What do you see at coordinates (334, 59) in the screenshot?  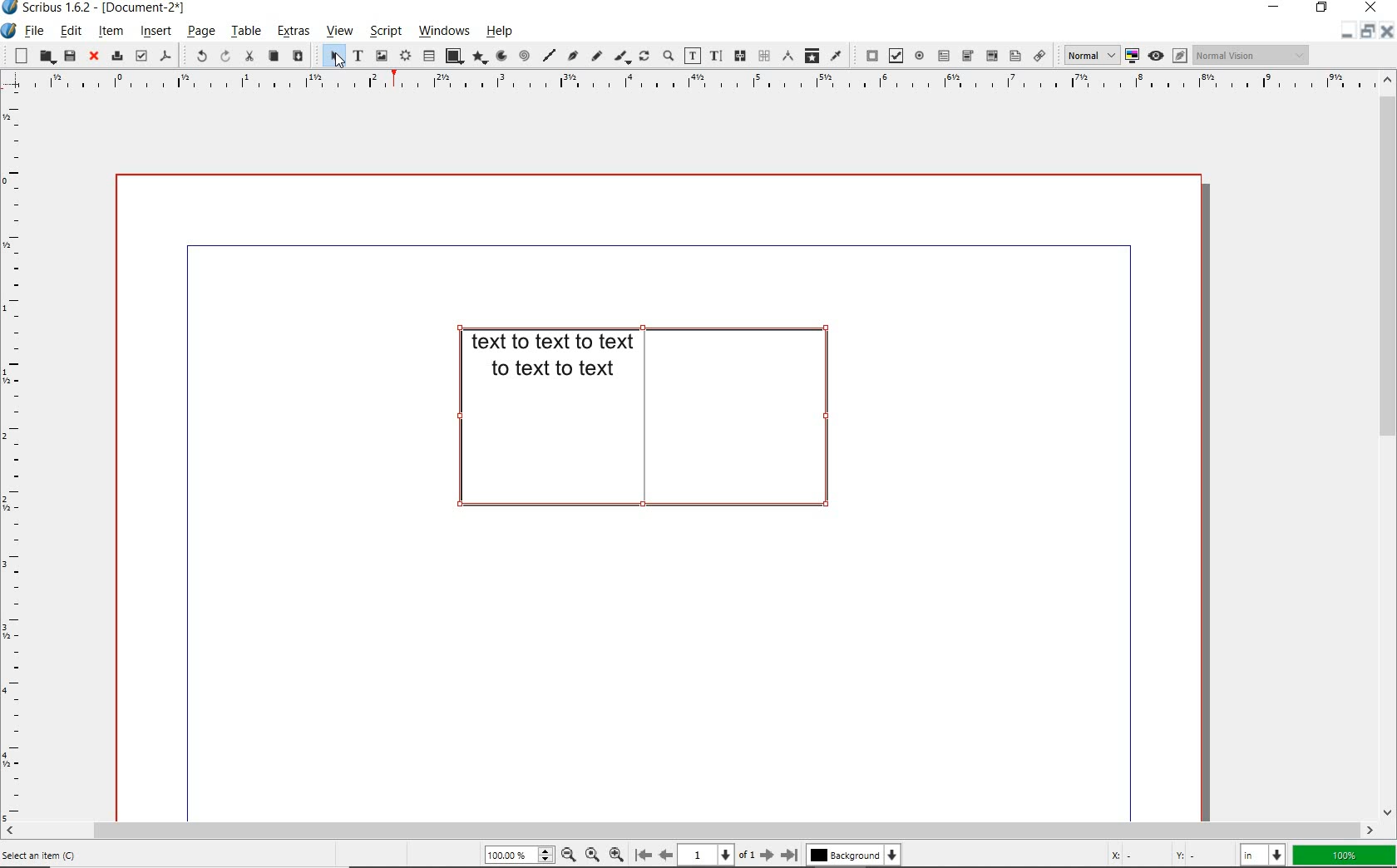 I see `SELECT` at bounding box center [334, 59].